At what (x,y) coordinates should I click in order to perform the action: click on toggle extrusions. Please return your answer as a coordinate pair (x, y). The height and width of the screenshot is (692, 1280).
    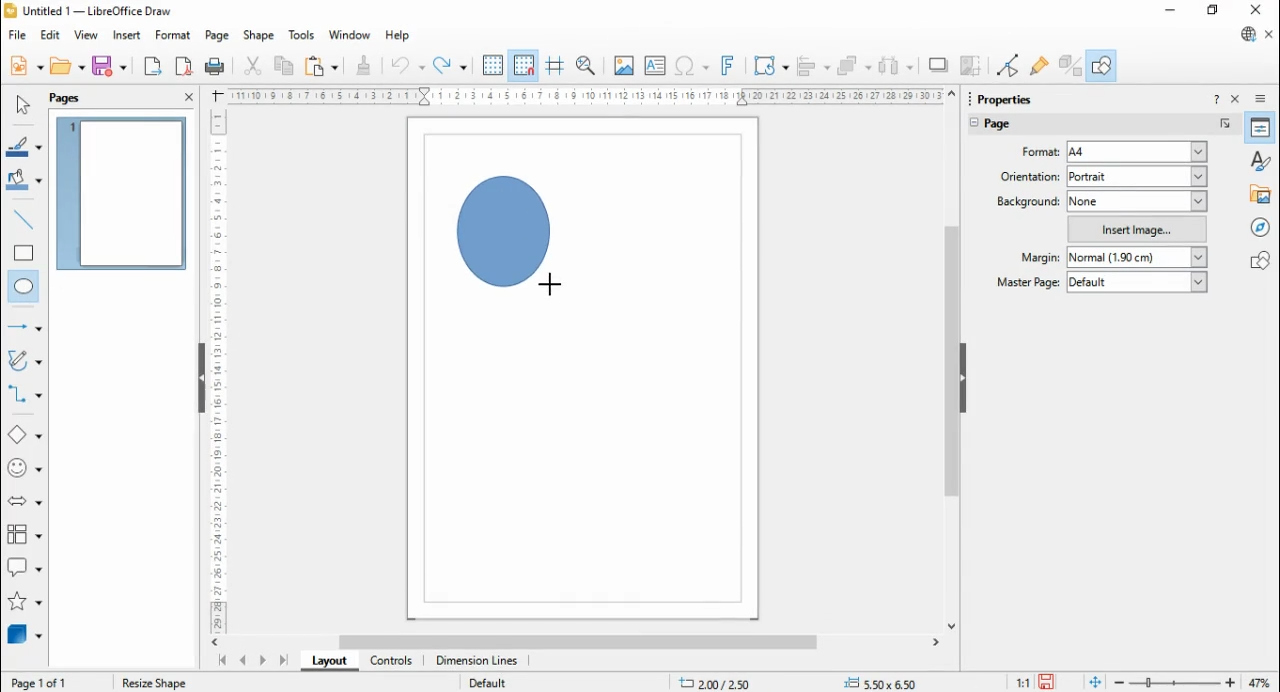
    Looking at the image, I should click on (1070, 65).